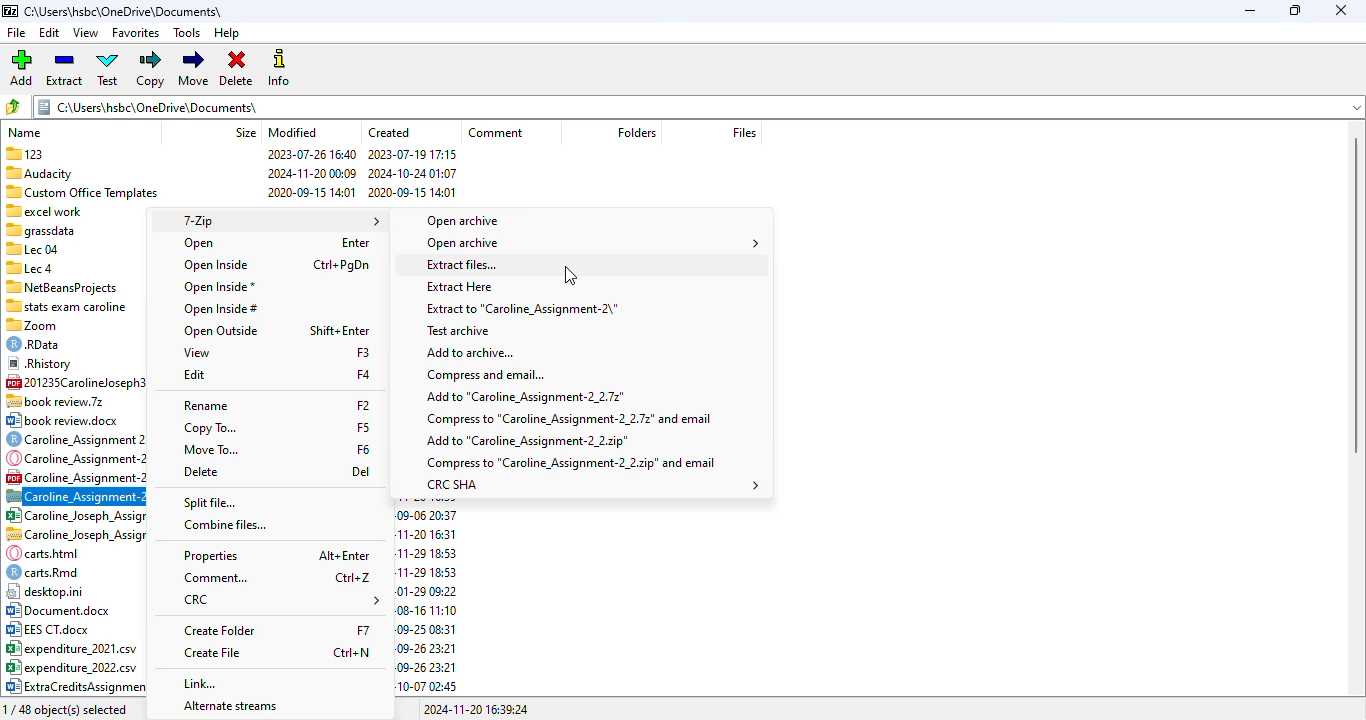  I want to click on 181 192, so click(345, 709).